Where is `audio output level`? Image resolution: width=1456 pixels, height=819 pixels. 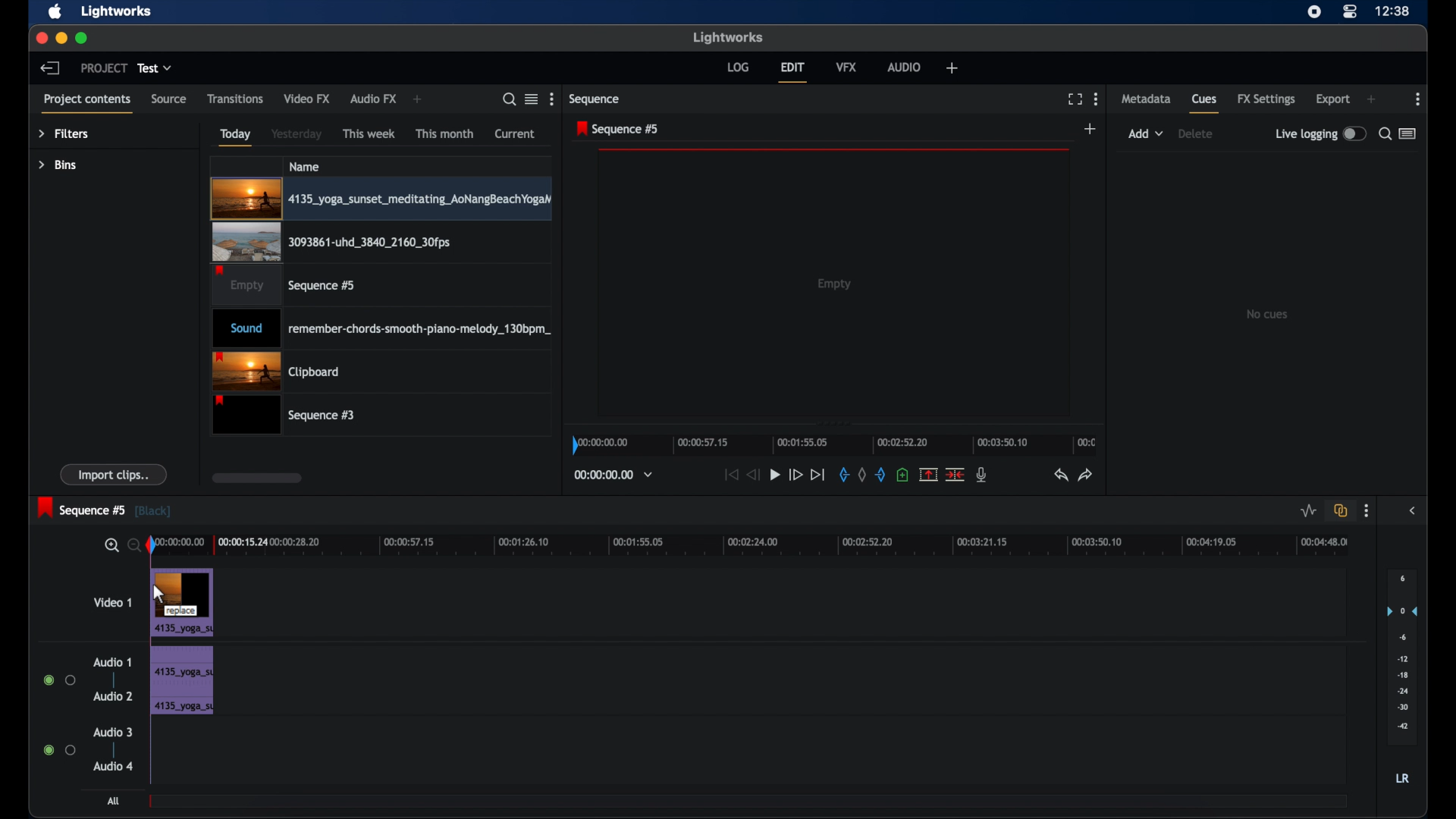 audio output level is located at coordinates (1402, 652).